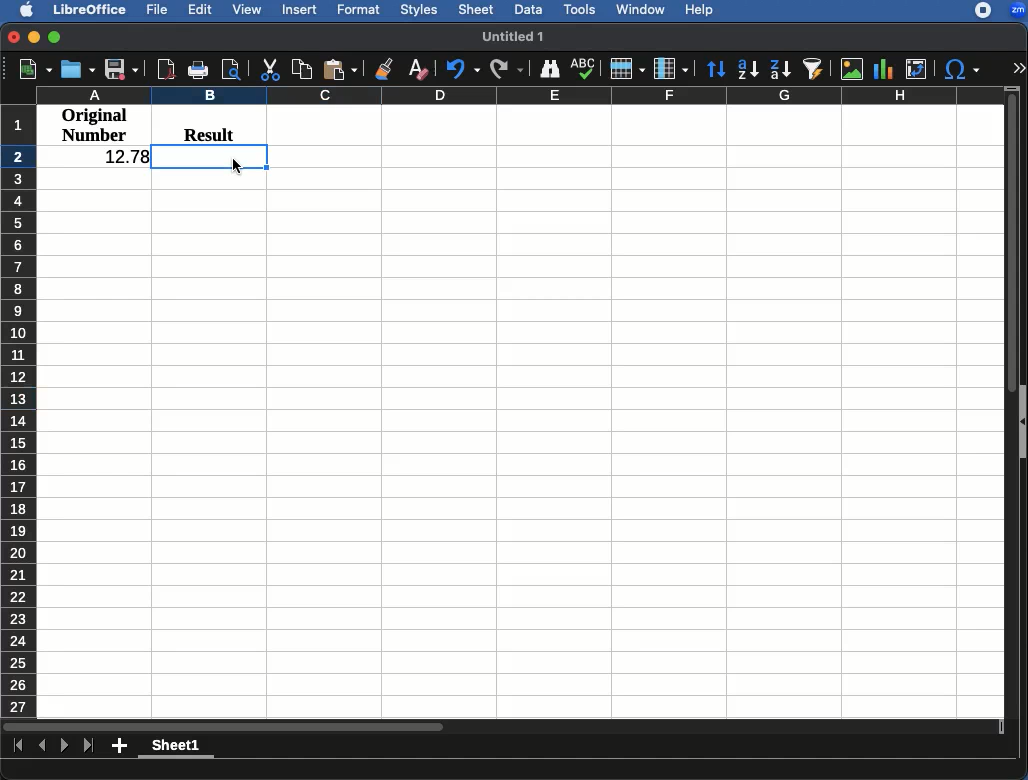 This screenshot has height=780, width=1028. What do you see at coordinates (119, 157) in the screenshot?
I see `12.78` at bounding box center [119, 157].